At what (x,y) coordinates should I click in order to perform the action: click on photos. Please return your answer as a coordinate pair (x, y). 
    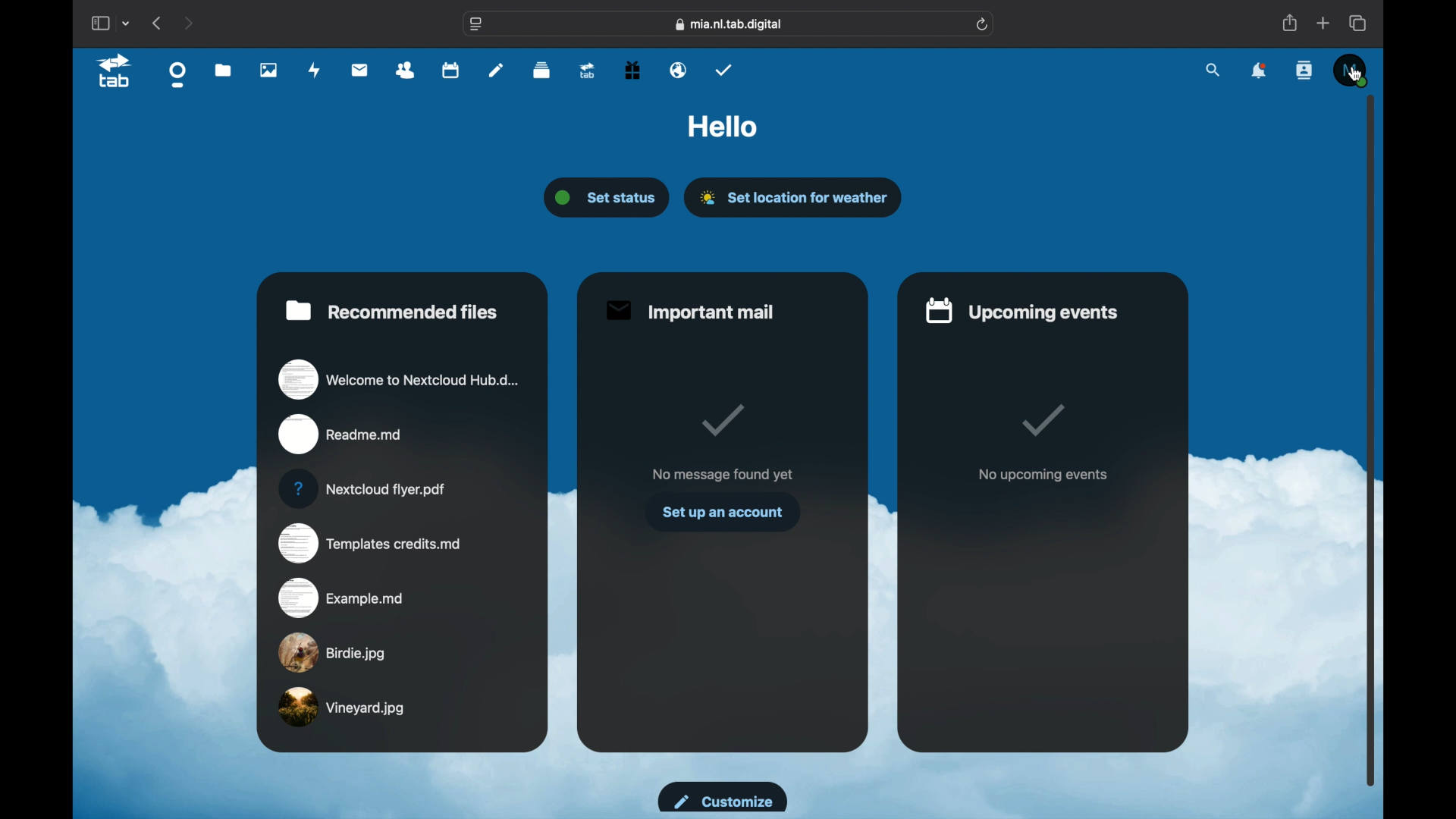
    Looking at the image, I should click on (268, 71).